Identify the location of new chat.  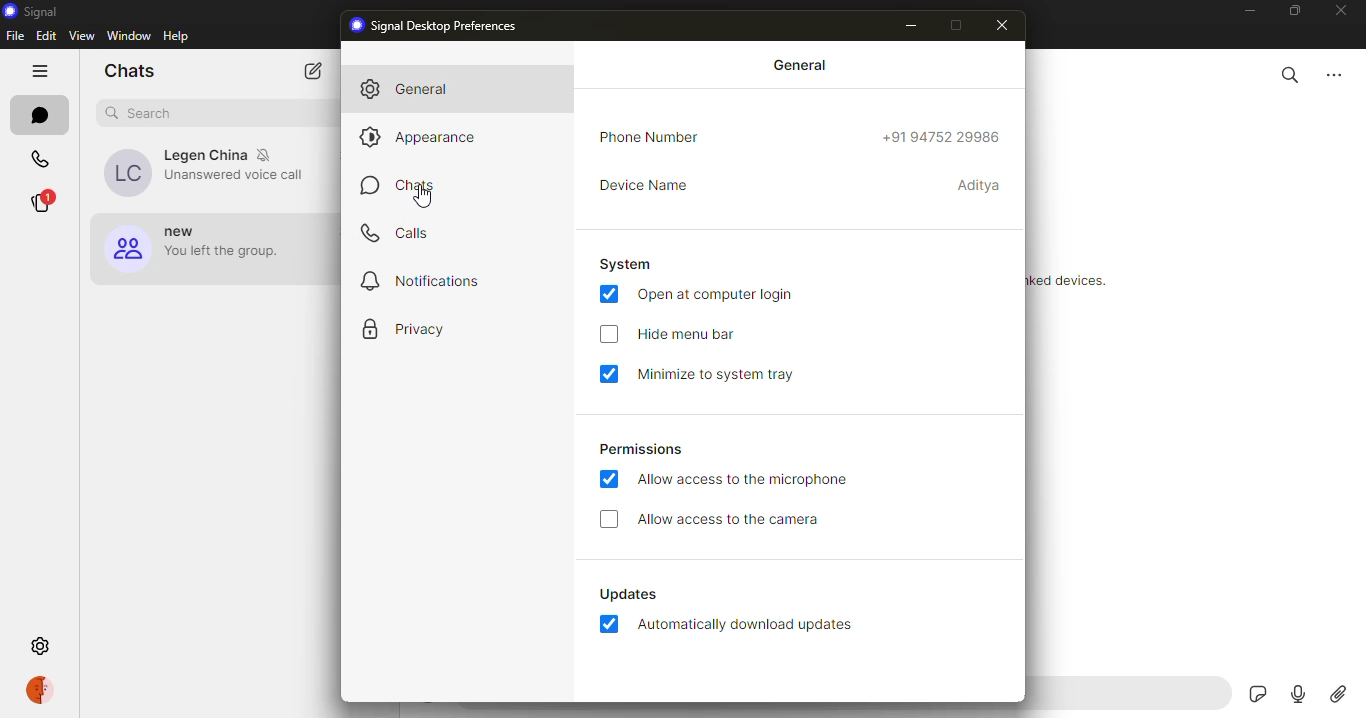
(314, 69).